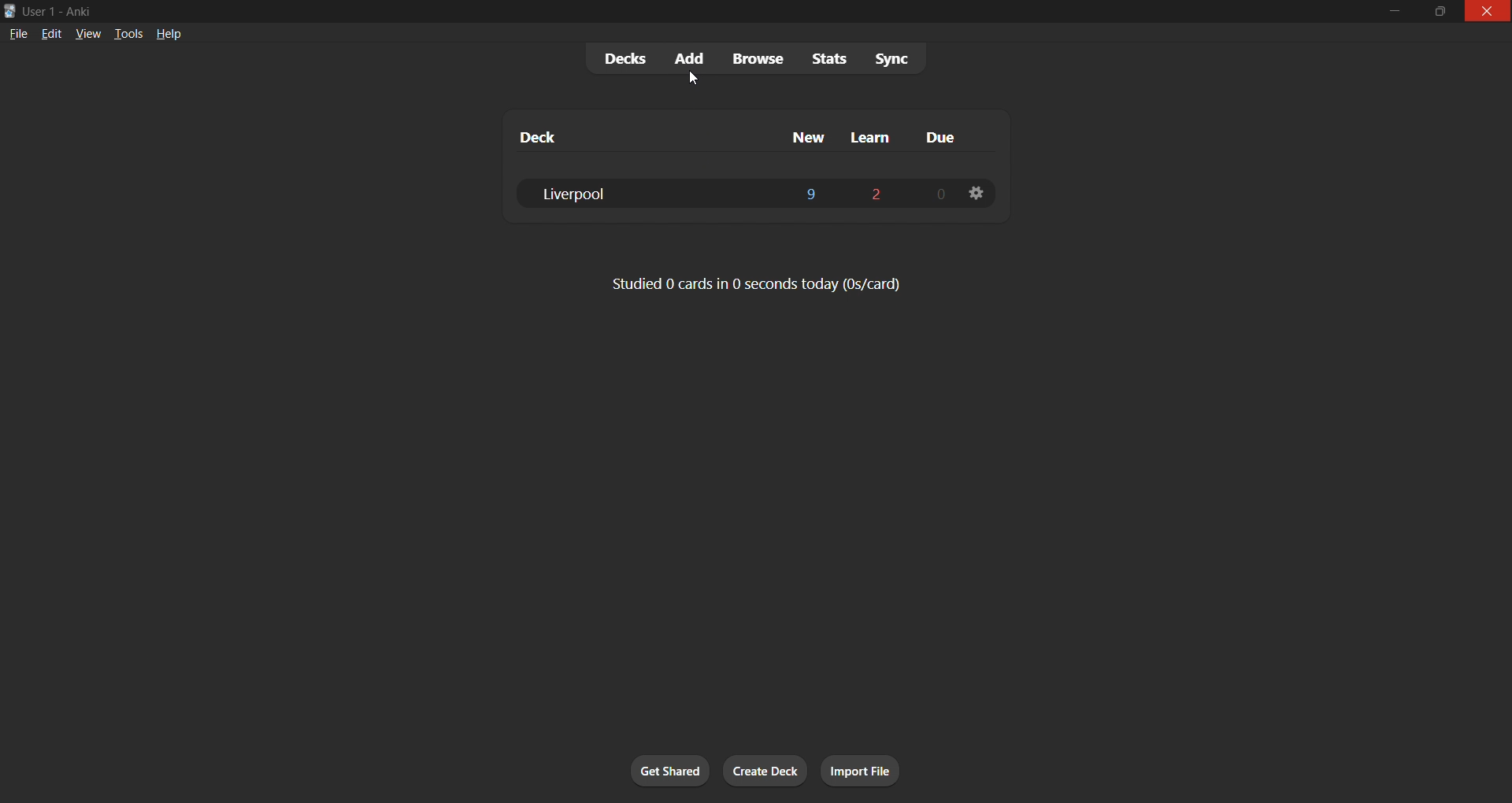 Image resolution: width=1512 pixels, height=803 pixels. I want to click on edit, so click(51, 35).